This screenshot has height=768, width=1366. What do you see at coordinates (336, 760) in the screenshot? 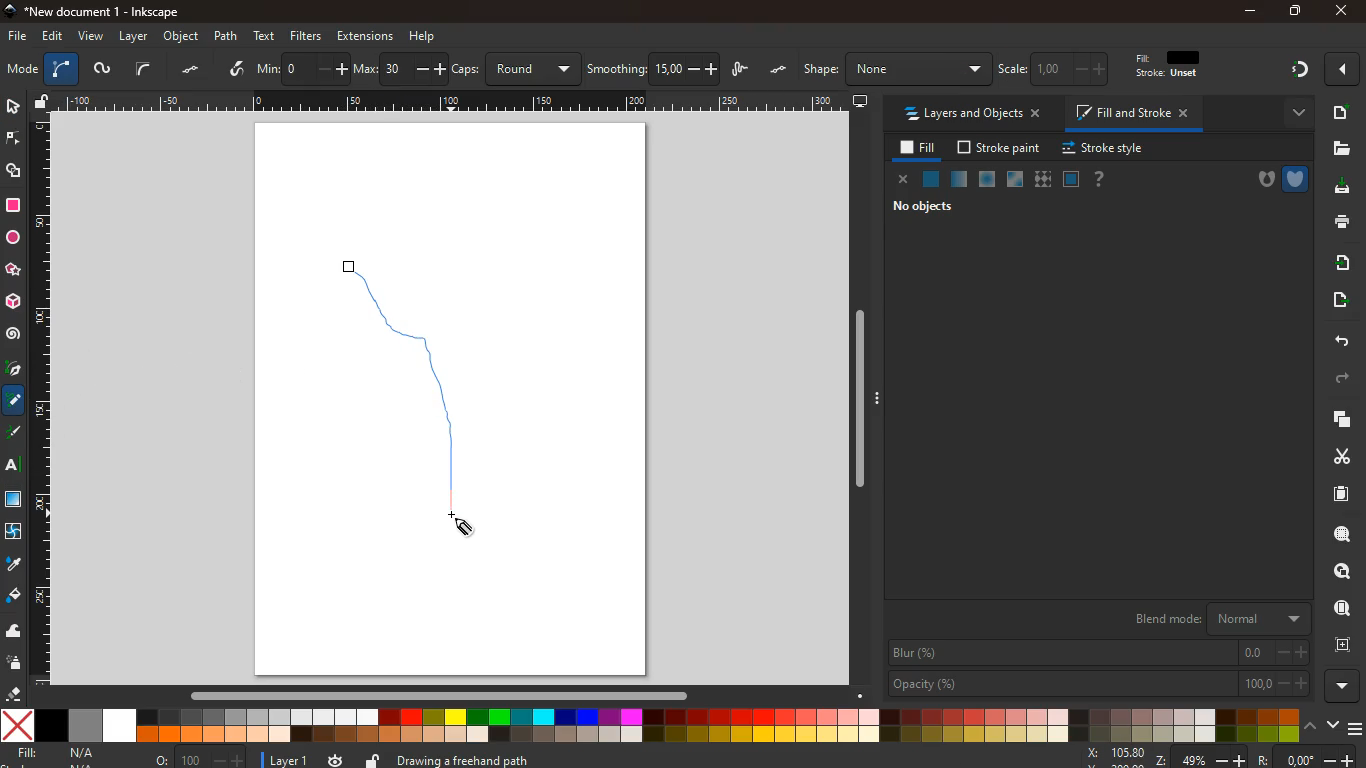
I see `time` at bounding box center [336, 760].